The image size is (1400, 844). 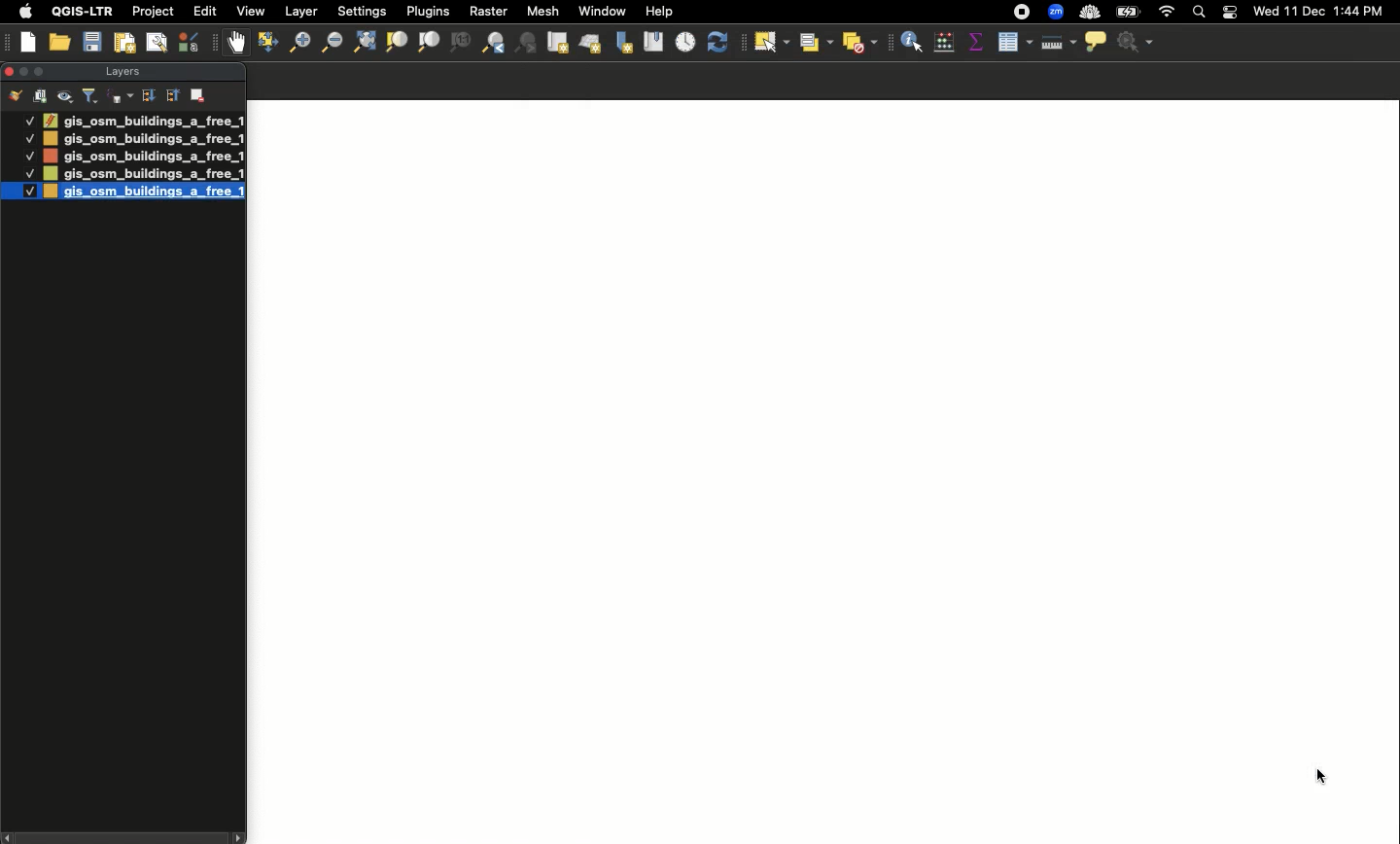 I want to click on Show layout manager, so click(x=156, y=43).